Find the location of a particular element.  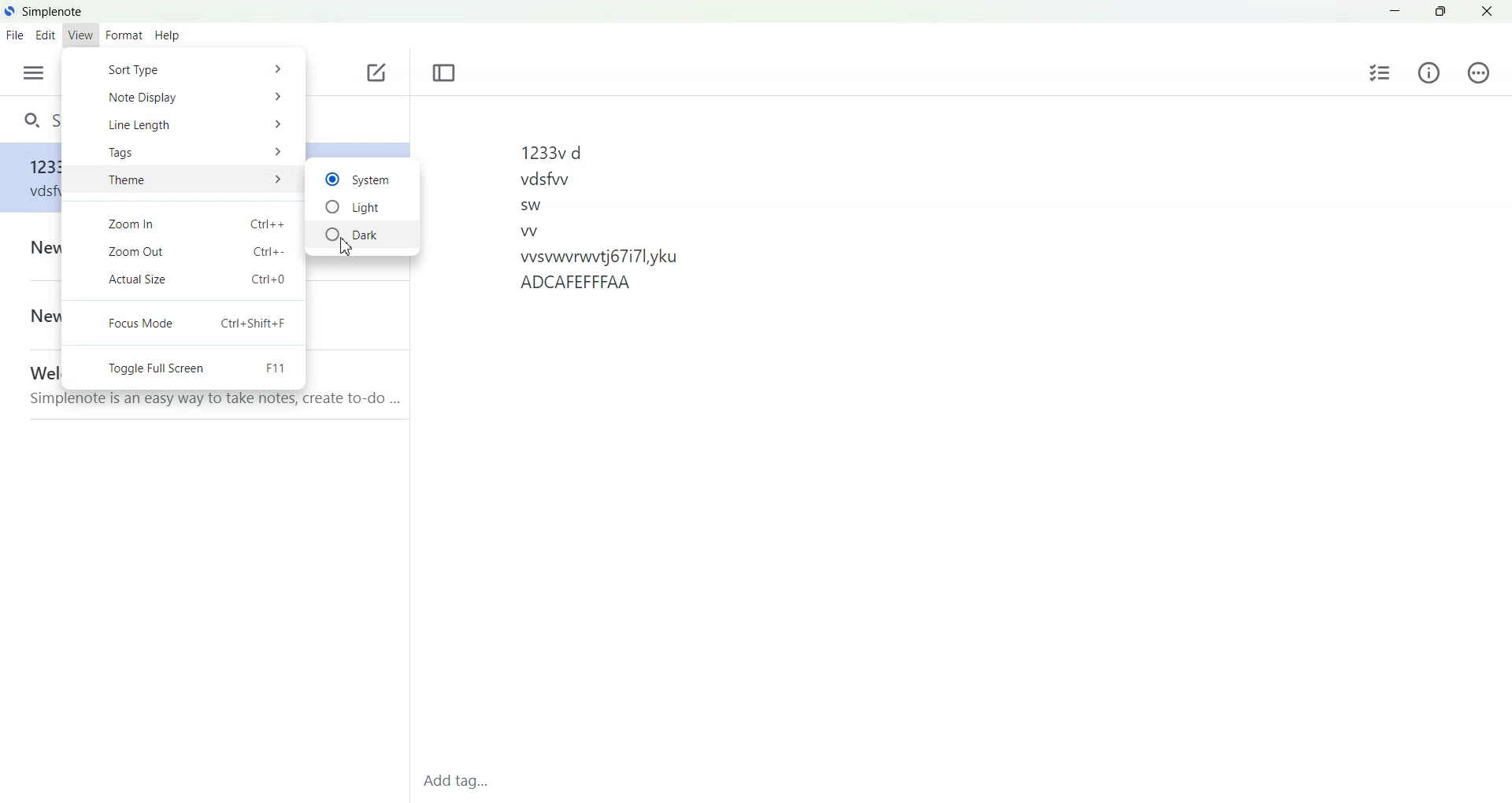

Zoom In is located at coordinates (183, 220).